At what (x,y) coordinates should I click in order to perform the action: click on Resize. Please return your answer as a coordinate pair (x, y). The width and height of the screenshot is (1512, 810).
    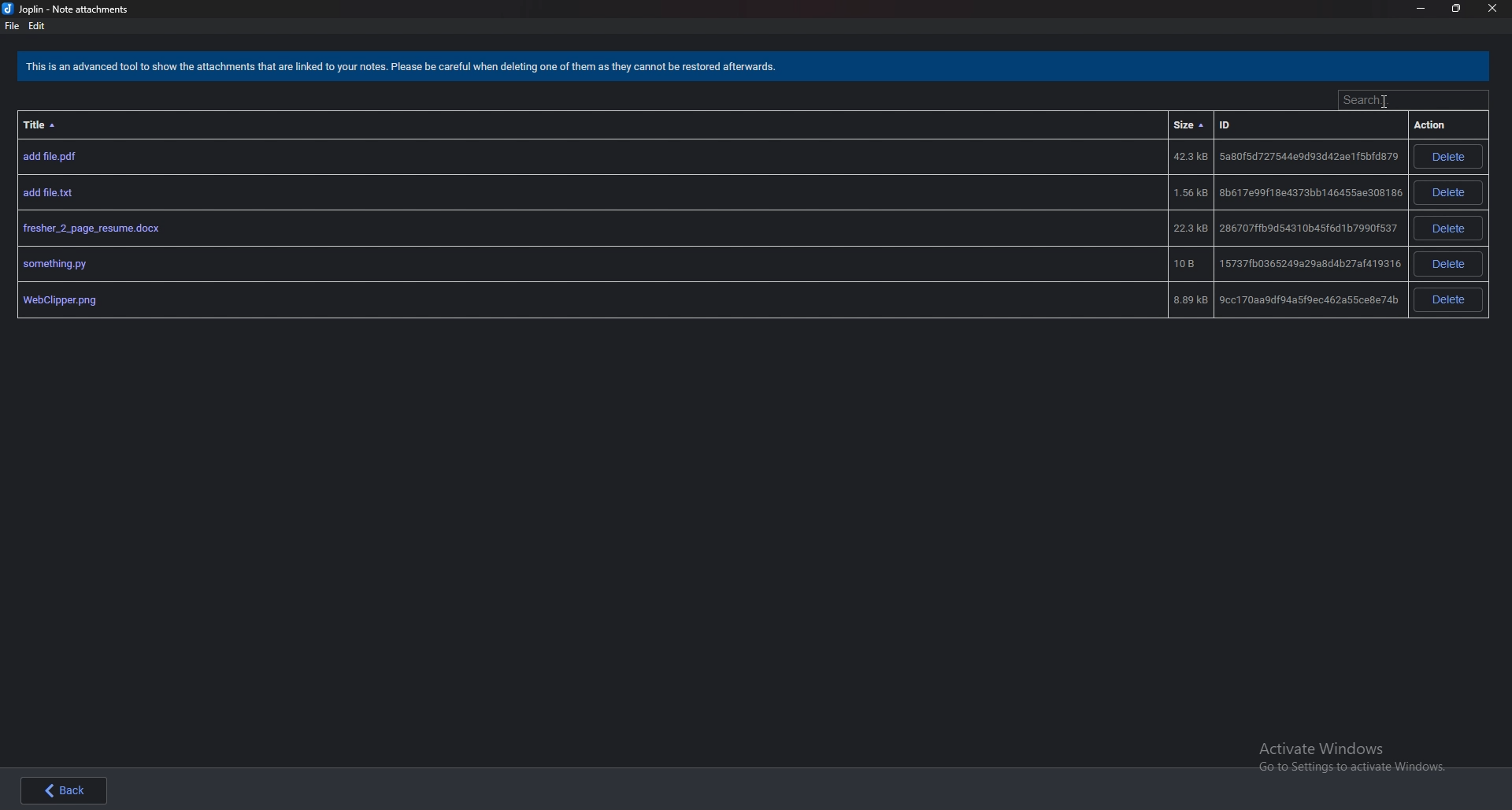
    Looking at the image, I should click on (1455, 8).